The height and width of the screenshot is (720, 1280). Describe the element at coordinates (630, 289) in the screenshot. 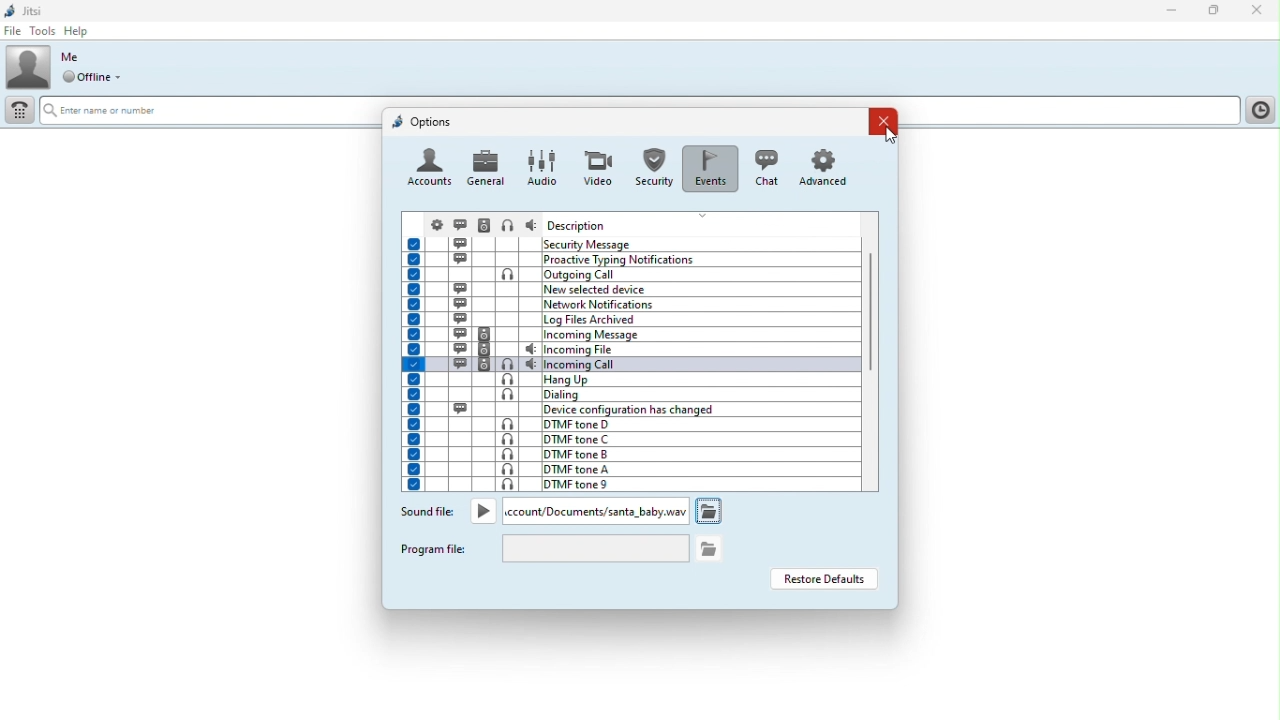

I see `new selected device ` at that location.